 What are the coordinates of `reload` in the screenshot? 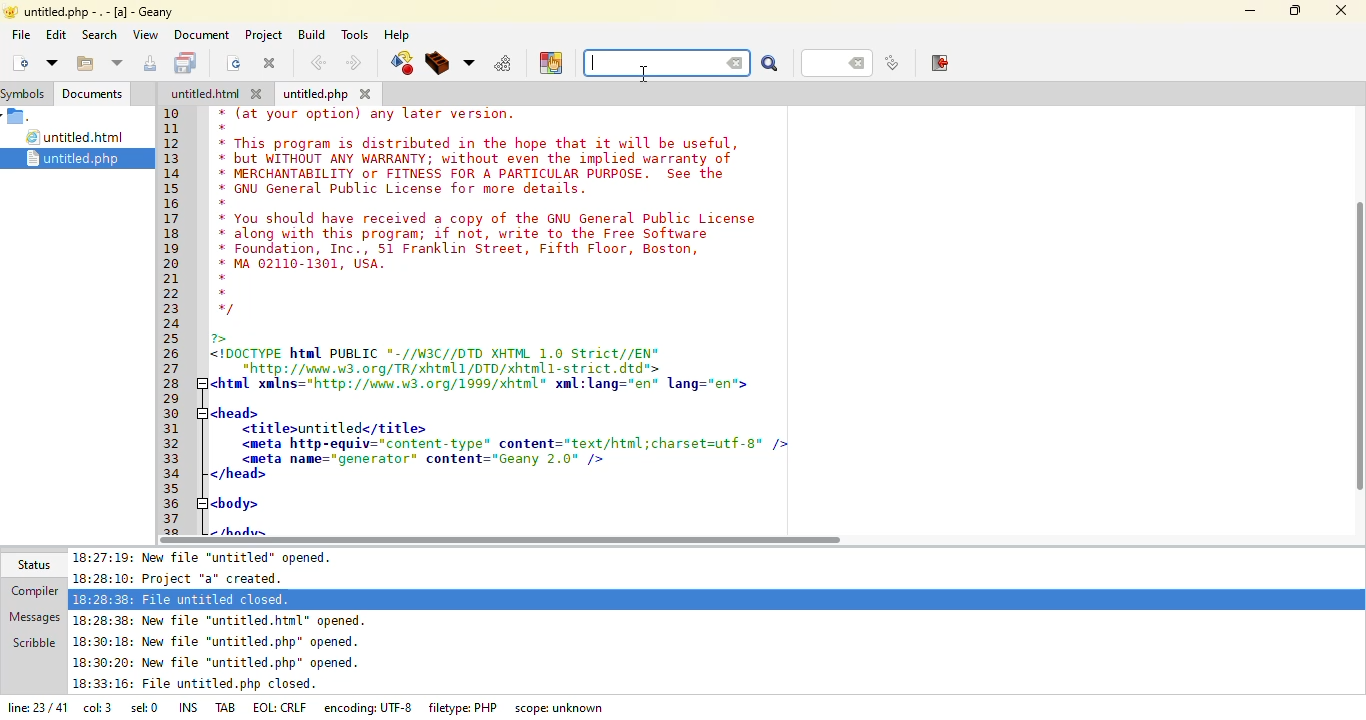 It's located at (234, 63).